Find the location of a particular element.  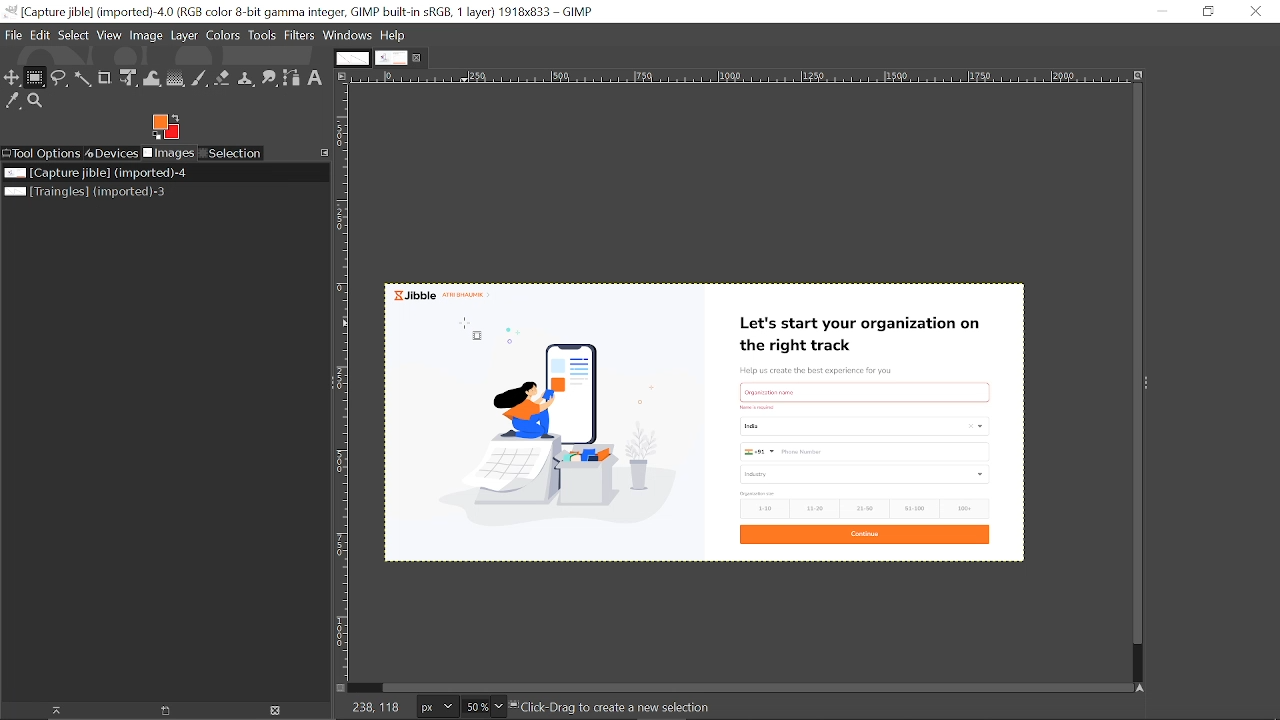

Horizontal label is located at coordinates (647, 77).